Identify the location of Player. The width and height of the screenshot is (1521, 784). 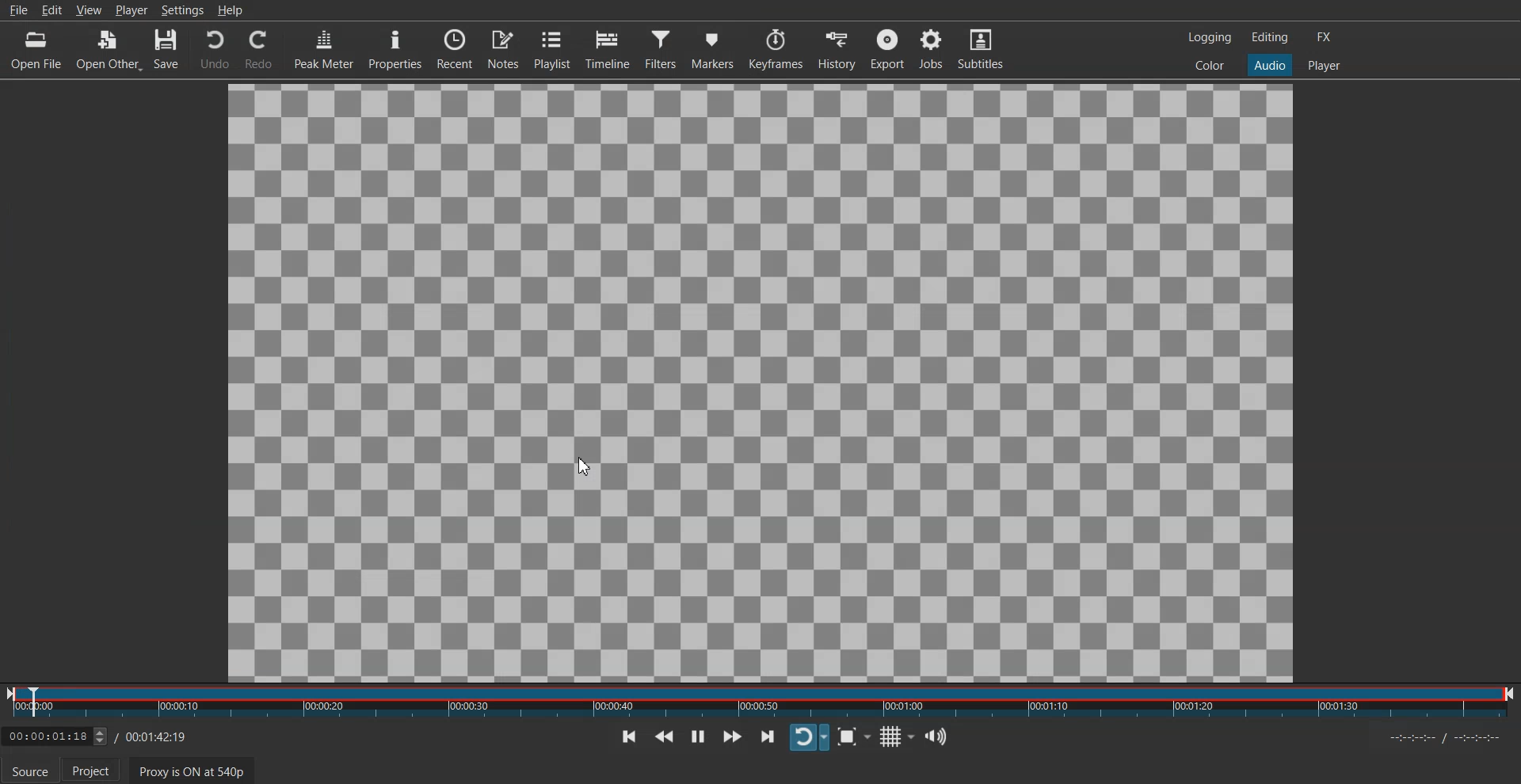
(131, 10).